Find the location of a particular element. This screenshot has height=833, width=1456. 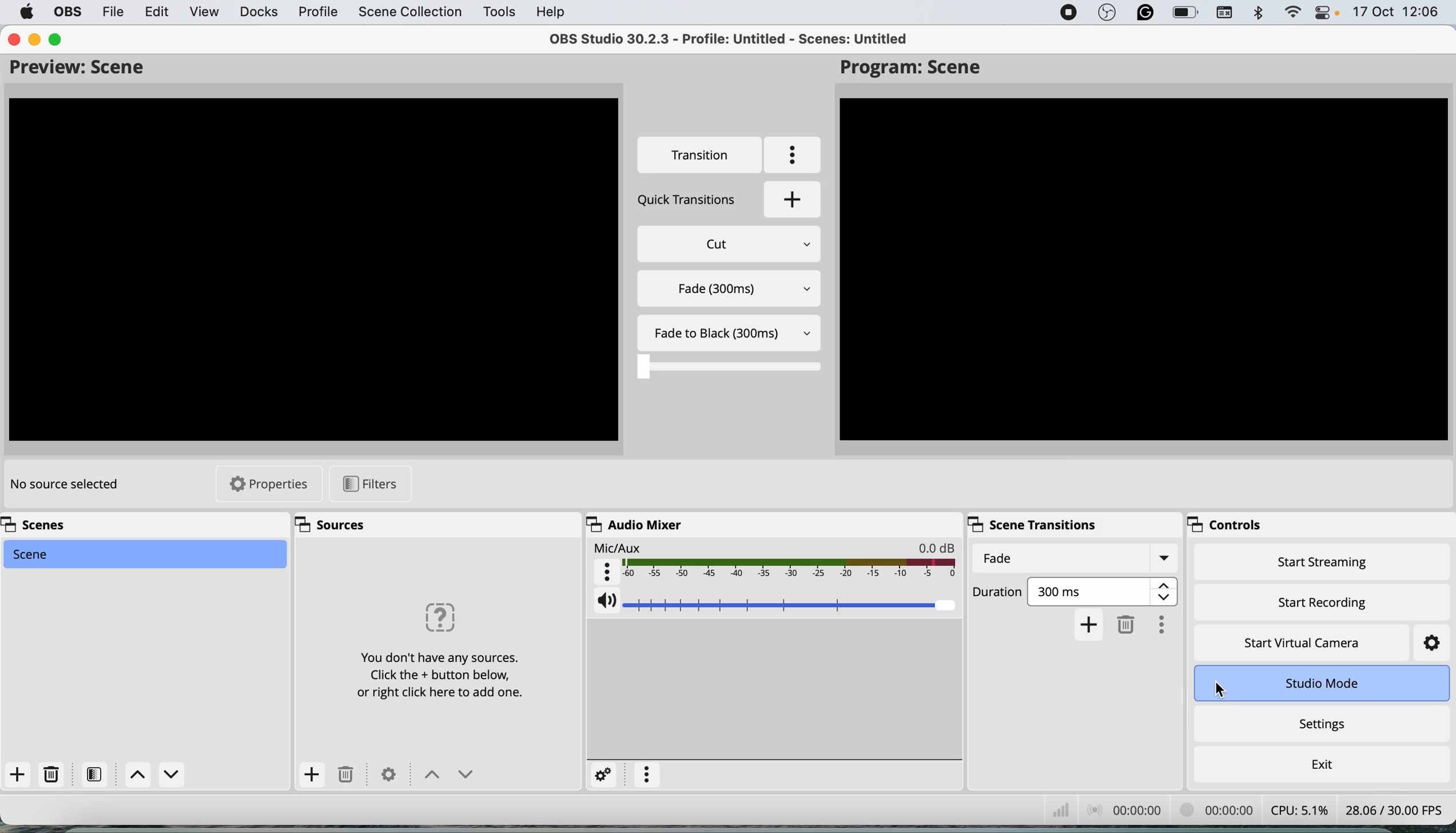

transition duration is located at coordinates (1075, 591).